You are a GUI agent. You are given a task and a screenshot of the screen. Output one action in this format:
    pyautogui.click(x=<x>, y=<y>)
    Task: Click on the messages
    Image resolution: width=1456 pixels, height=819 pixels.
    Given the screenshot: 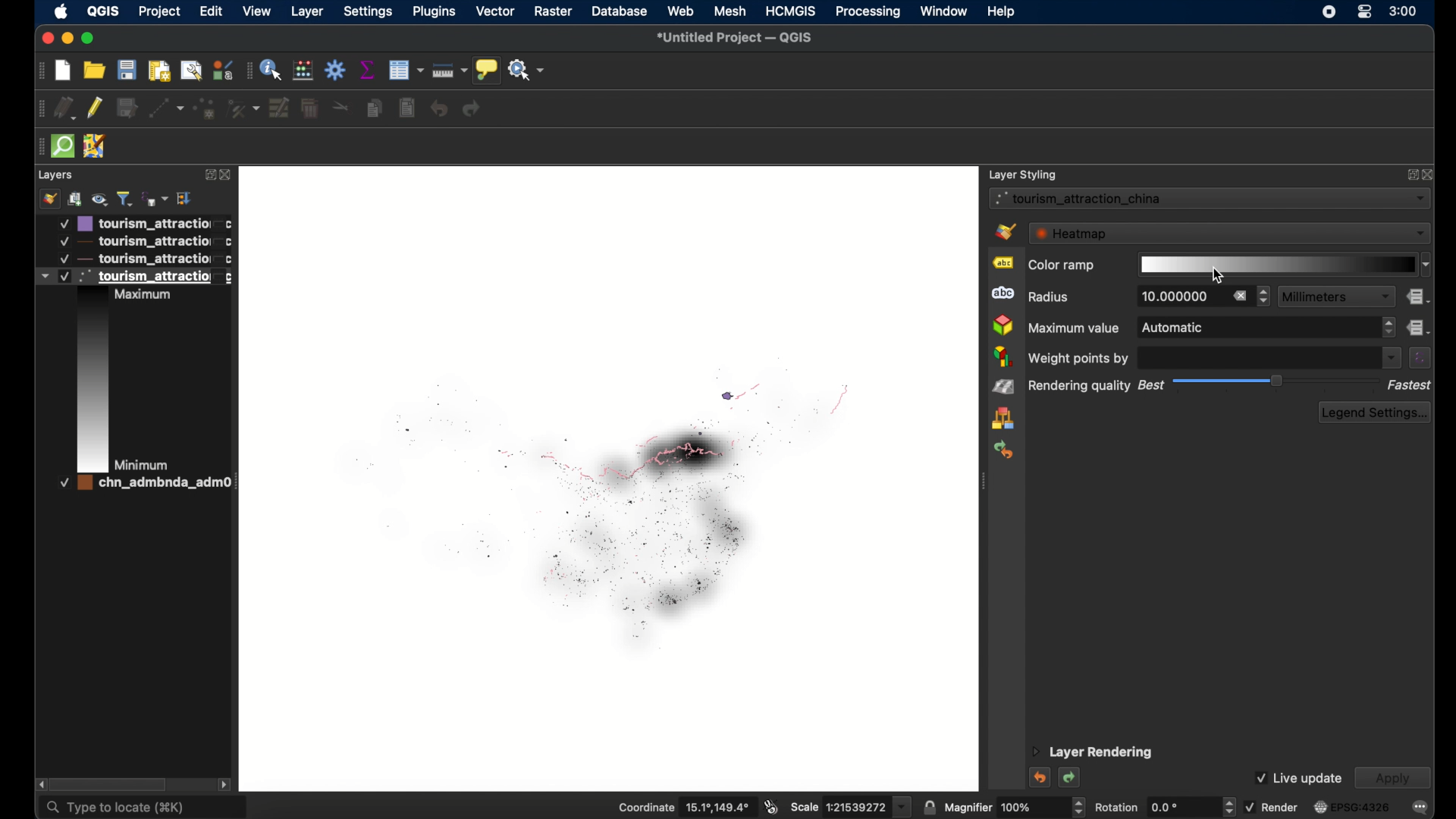 What is the action you would take?
    pyautogui.click(x=1421, y=808)
    